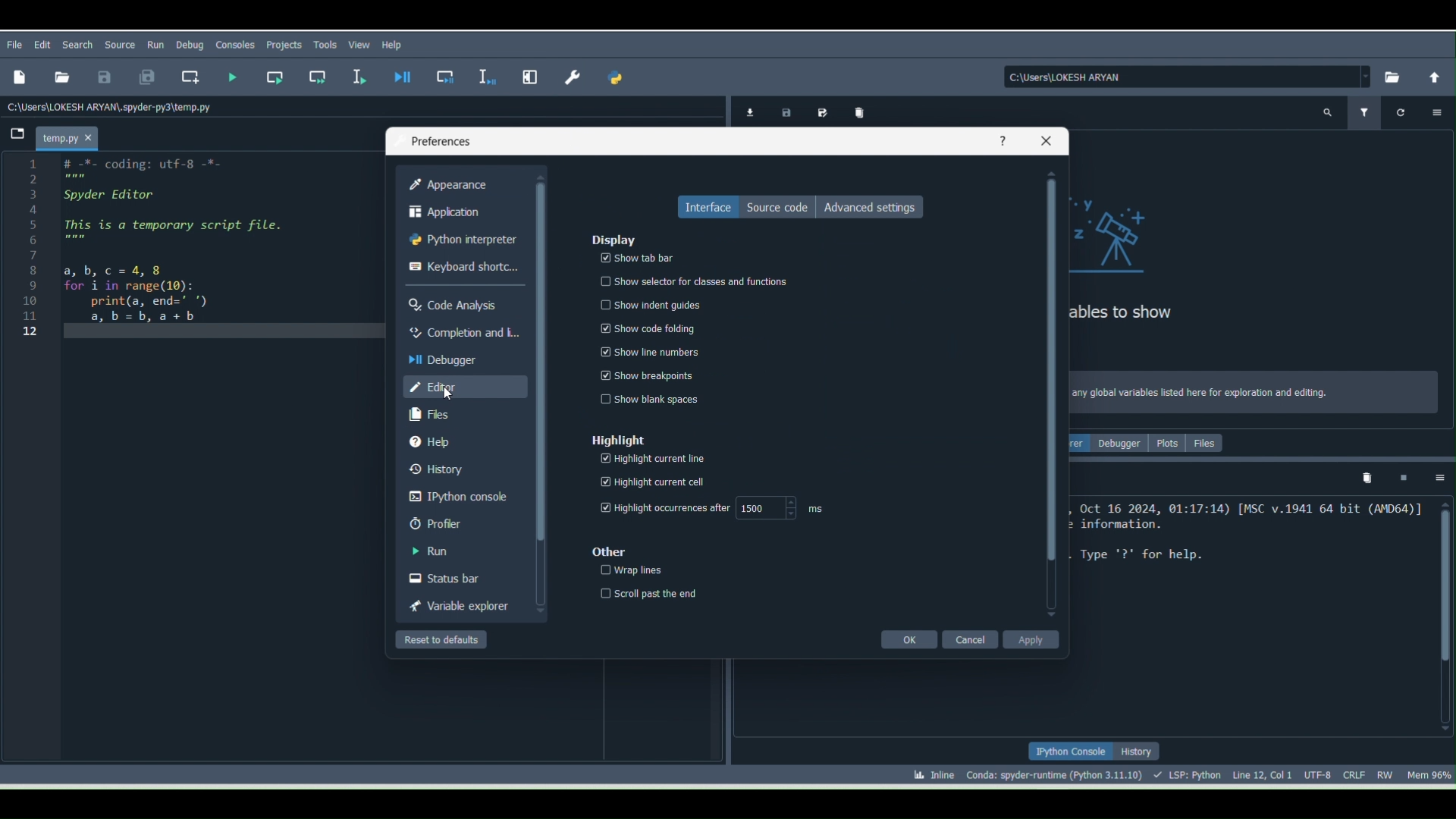  I want to click on Files, so click(459, 413).